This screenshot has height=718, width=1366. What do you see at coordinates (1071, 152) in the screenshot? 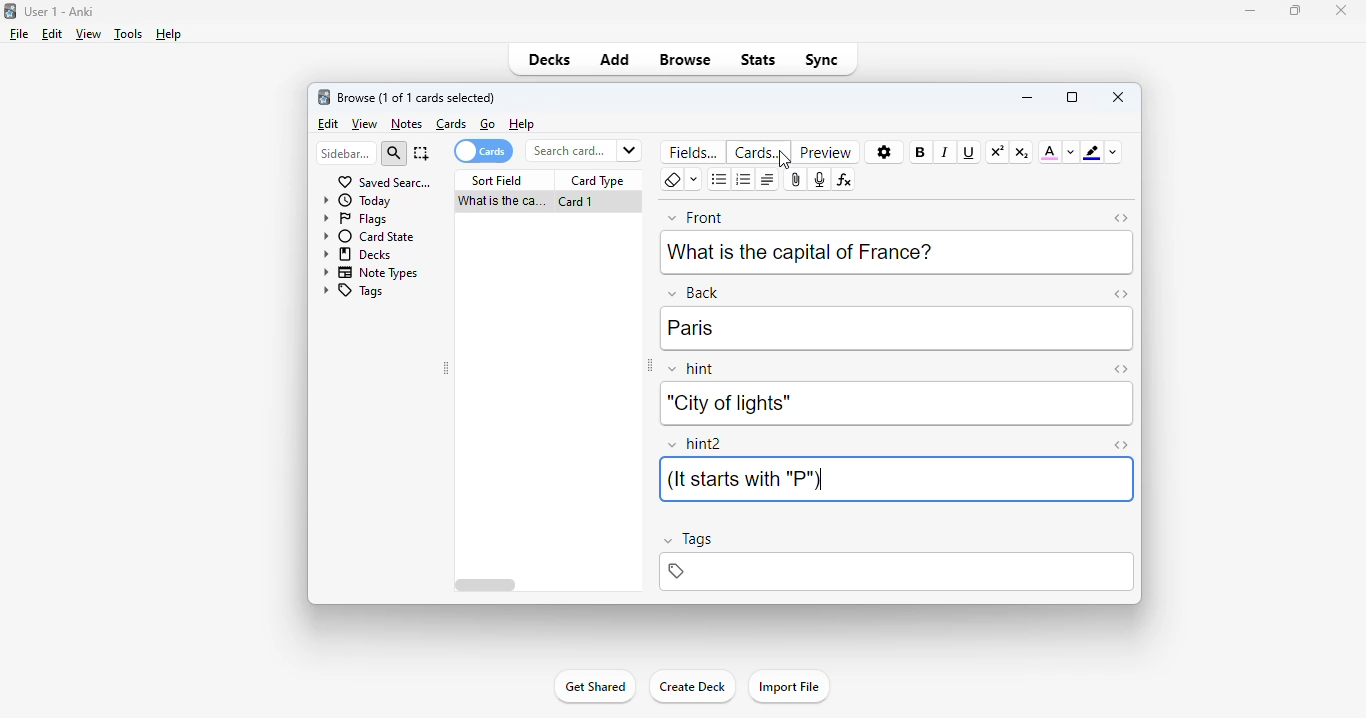
I see `change color` at bounding box center [1071, 152].